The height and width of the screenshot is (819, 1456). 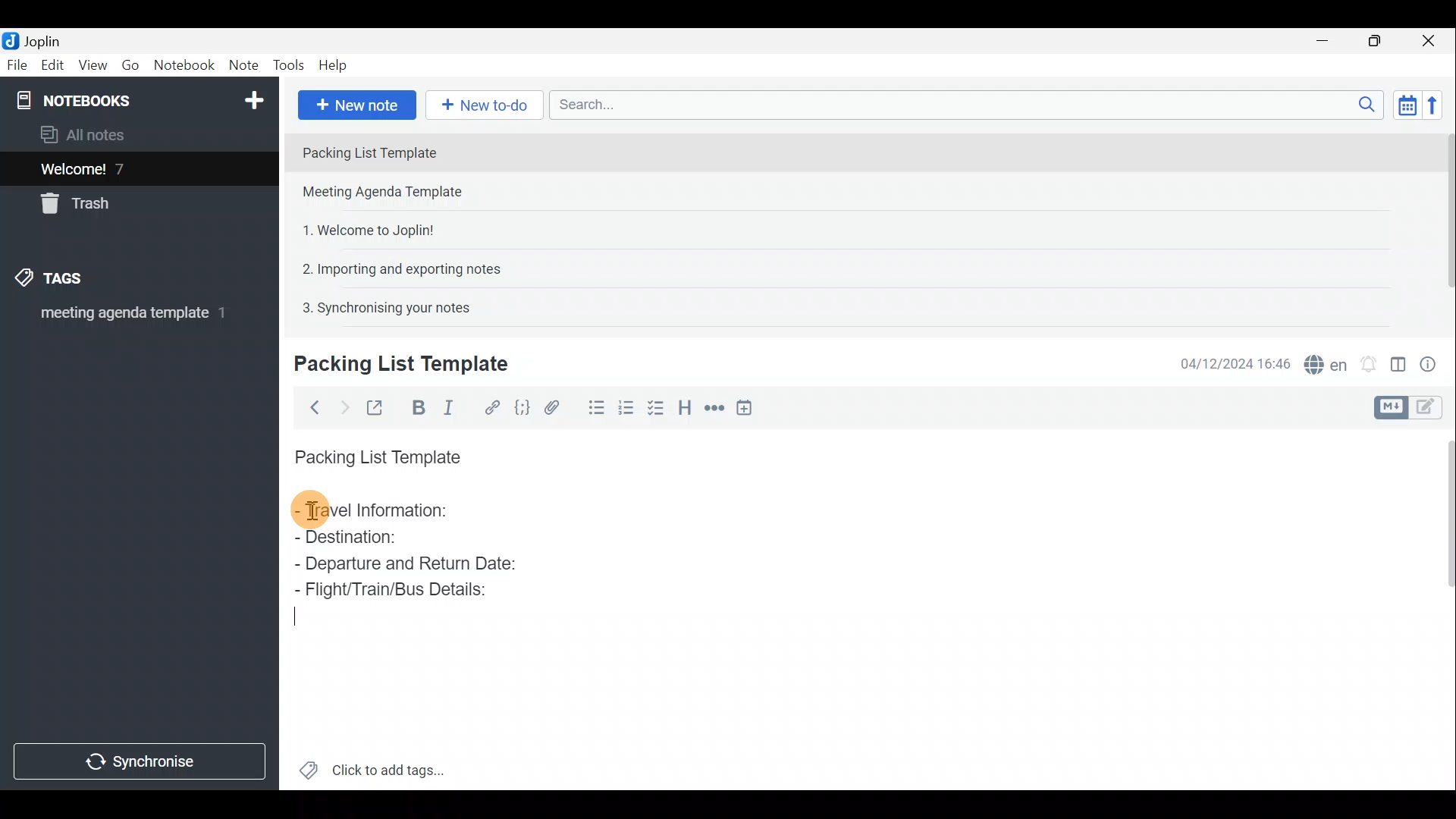 I want to click on Maximise, so click(x=1380, y=41).